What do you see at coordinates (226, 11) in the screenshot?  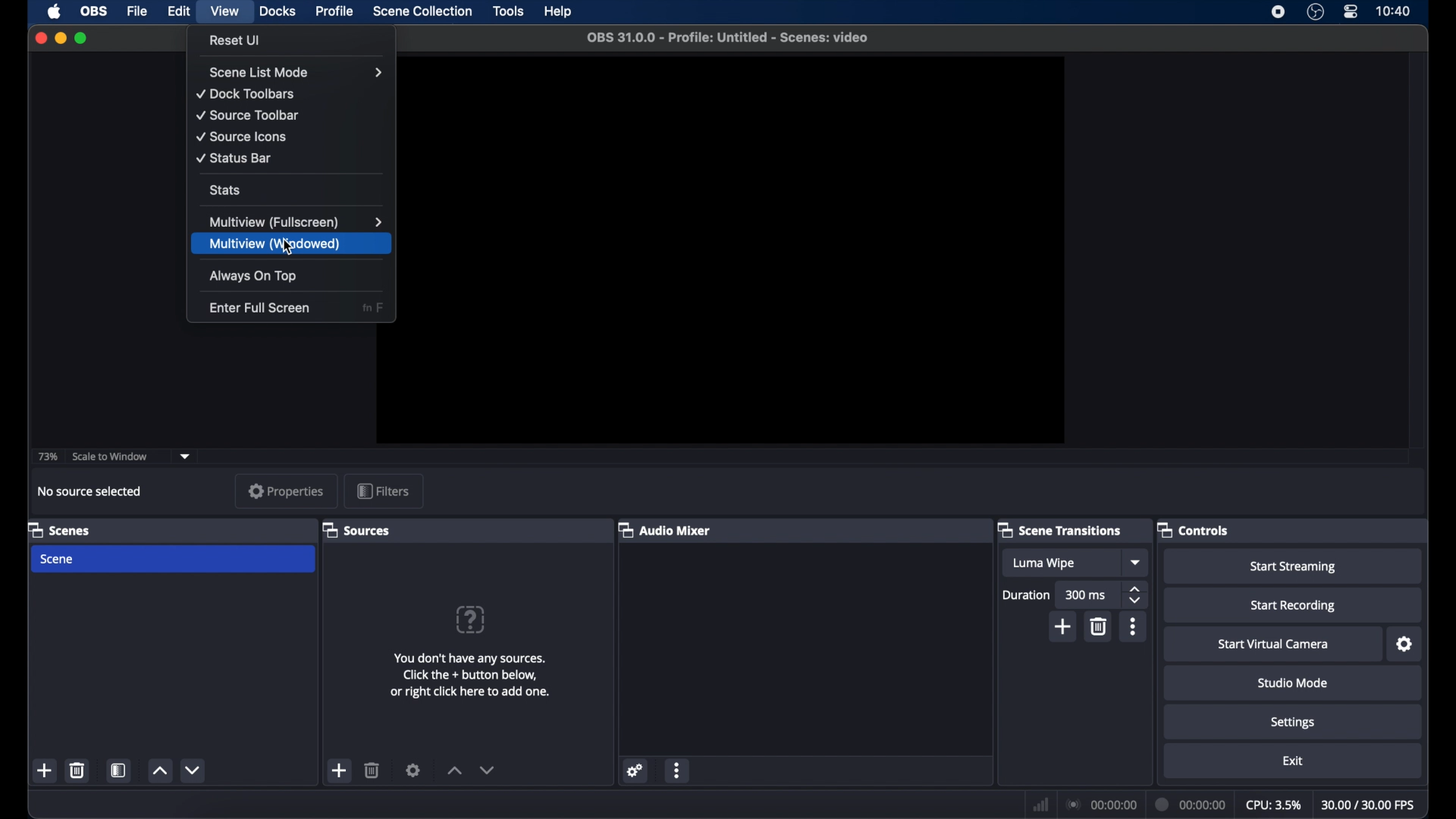 I see `view` at bounding box center [226, 11].